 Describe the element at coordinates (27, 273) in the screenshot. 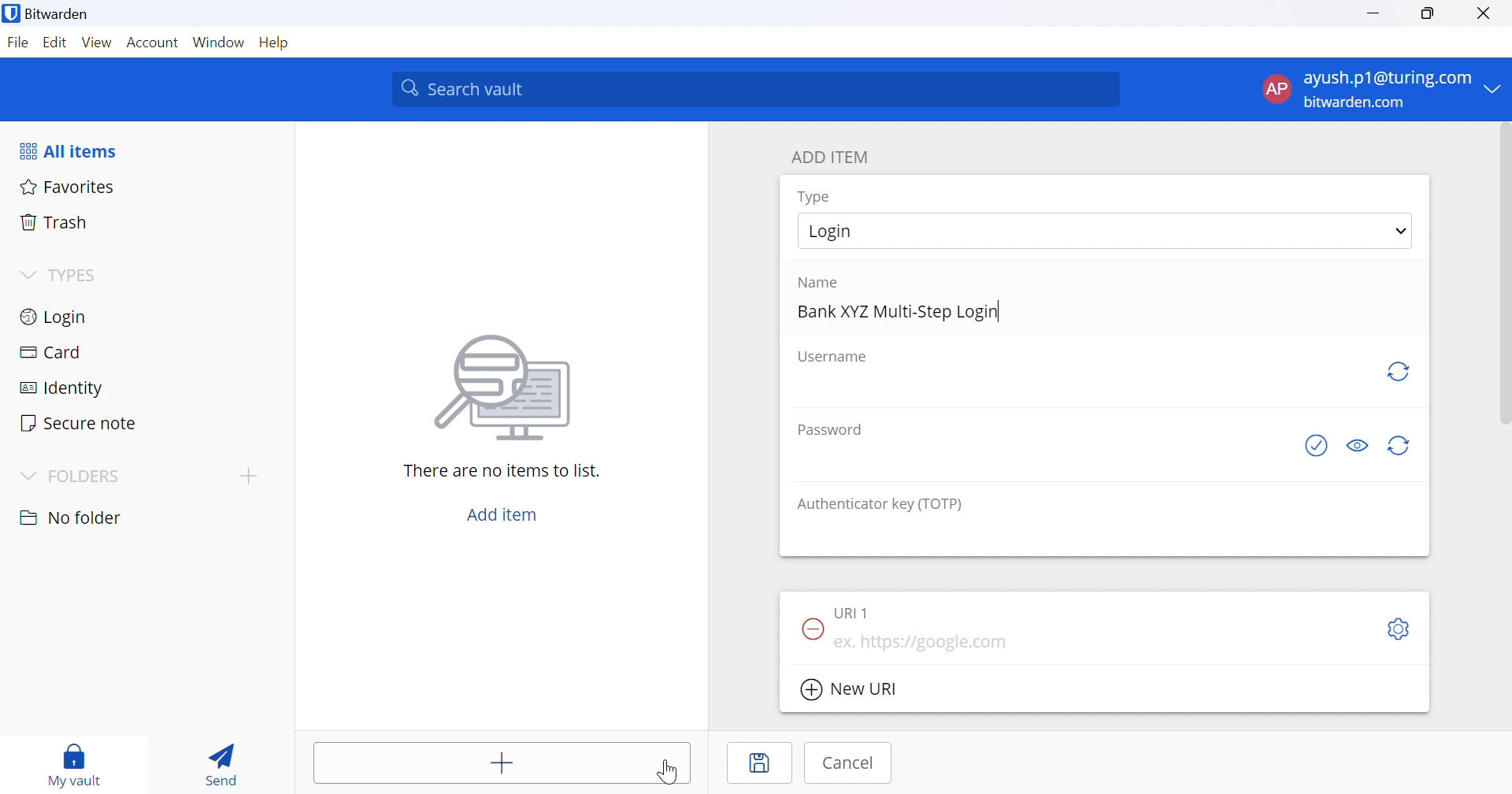

I see `Drop Down` at that location.